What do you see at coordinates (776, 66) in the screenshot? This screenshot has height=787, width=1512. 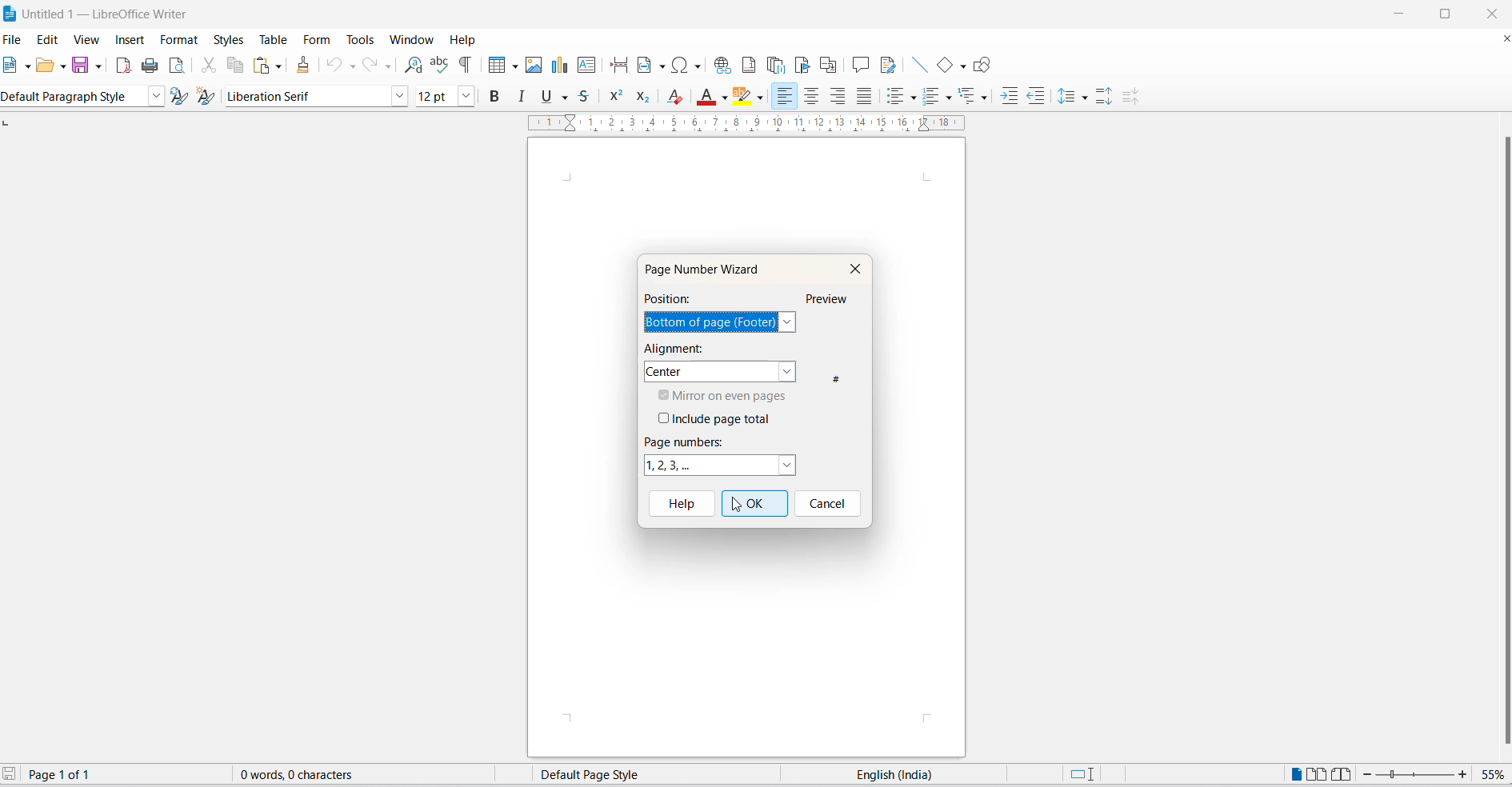 I see `insert endnote` at bounding box center [776, 66].